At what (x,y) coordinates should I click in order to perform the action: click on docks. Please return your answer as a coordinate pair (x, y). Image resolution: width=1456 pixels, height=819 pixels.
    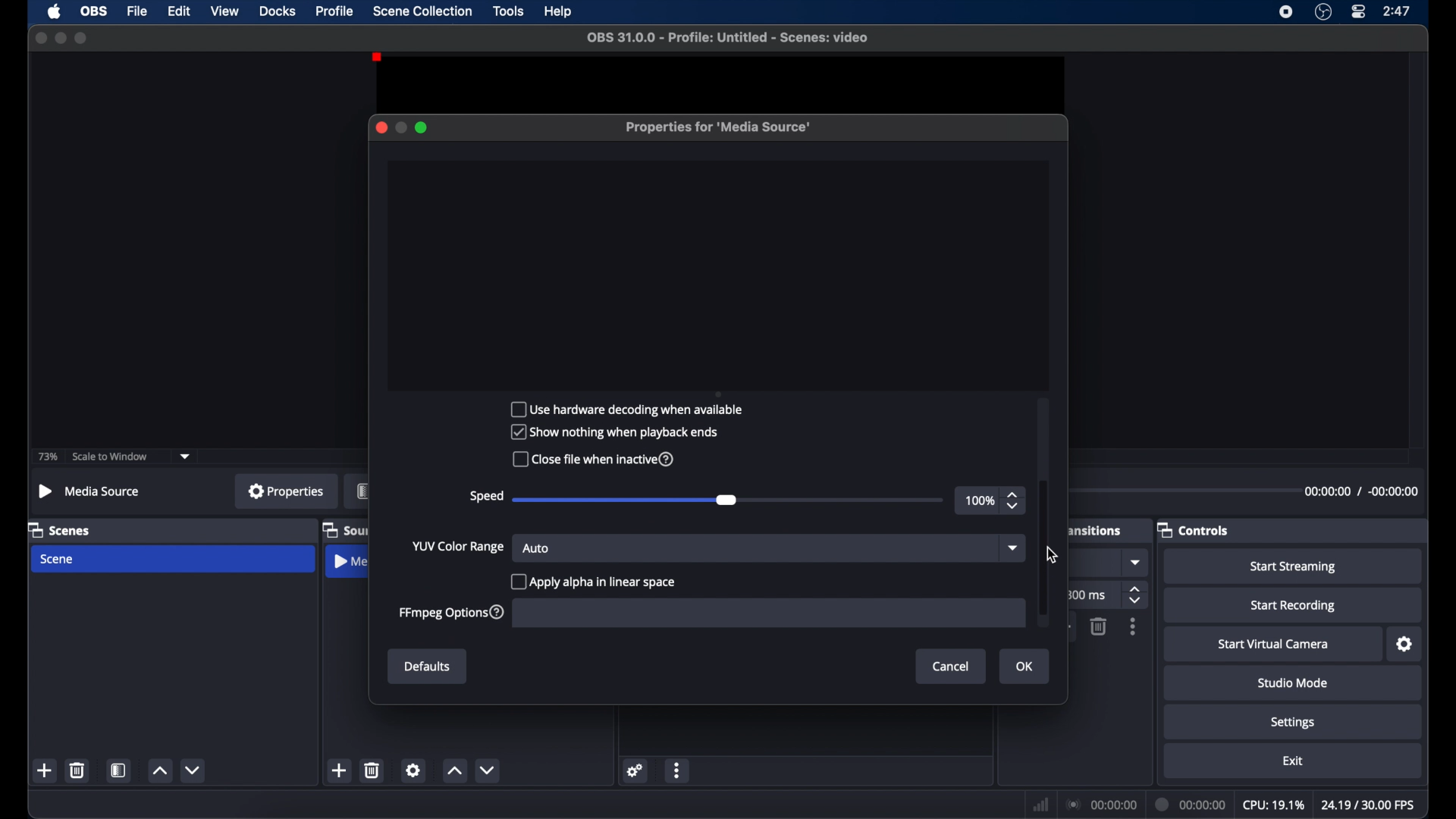
    Looking at the image, I should click on (278, 11).